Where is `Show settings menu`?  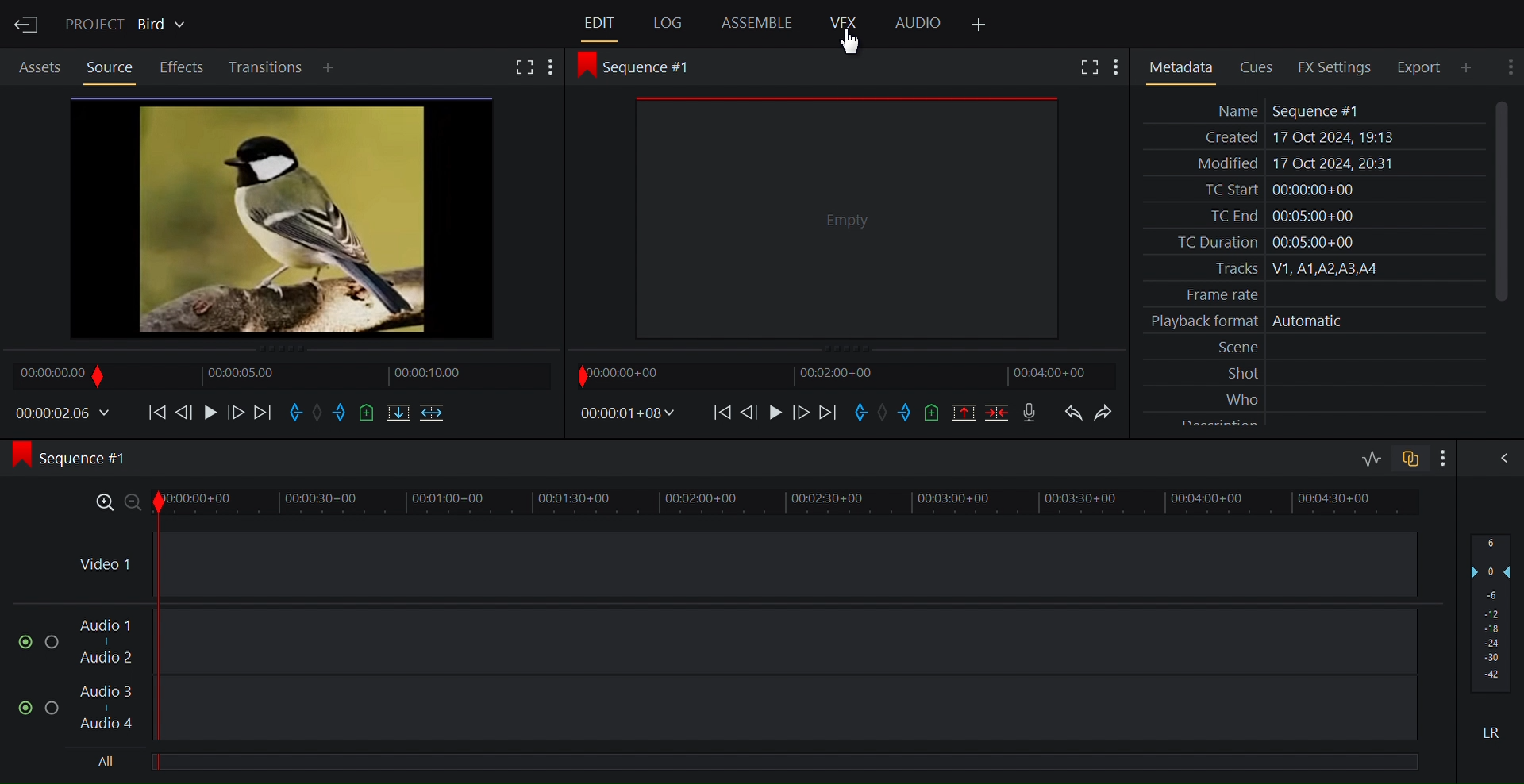
Show settings menu is located at coordinates (1089, 70).